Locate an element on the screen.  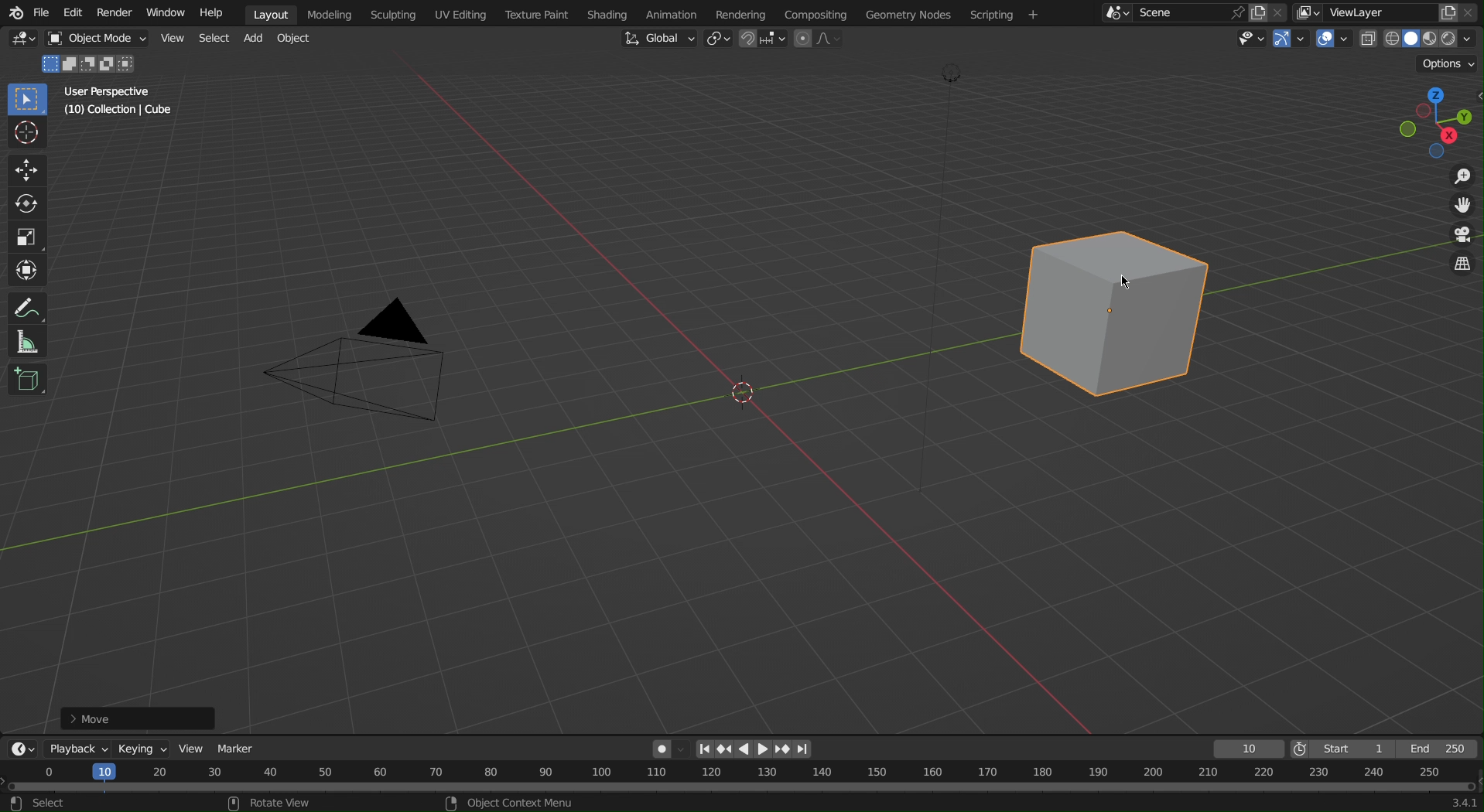
ViewLayer is located at coordinates (1369, 12).